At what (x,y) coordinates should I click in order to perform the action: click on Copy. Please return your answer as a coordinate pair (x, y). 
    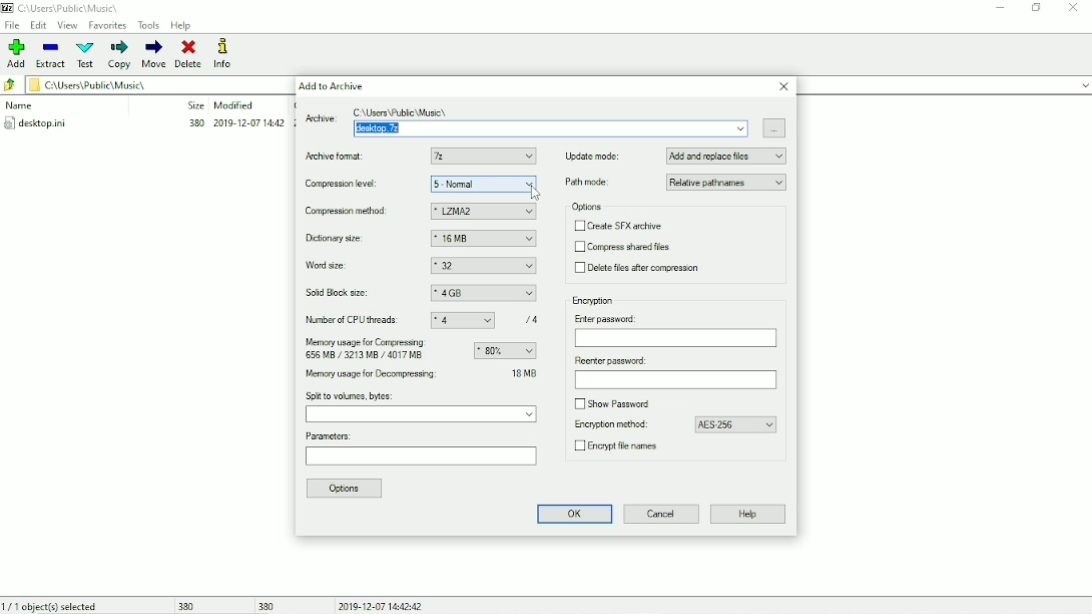
    Looking at the image, I should click on (121, 55).